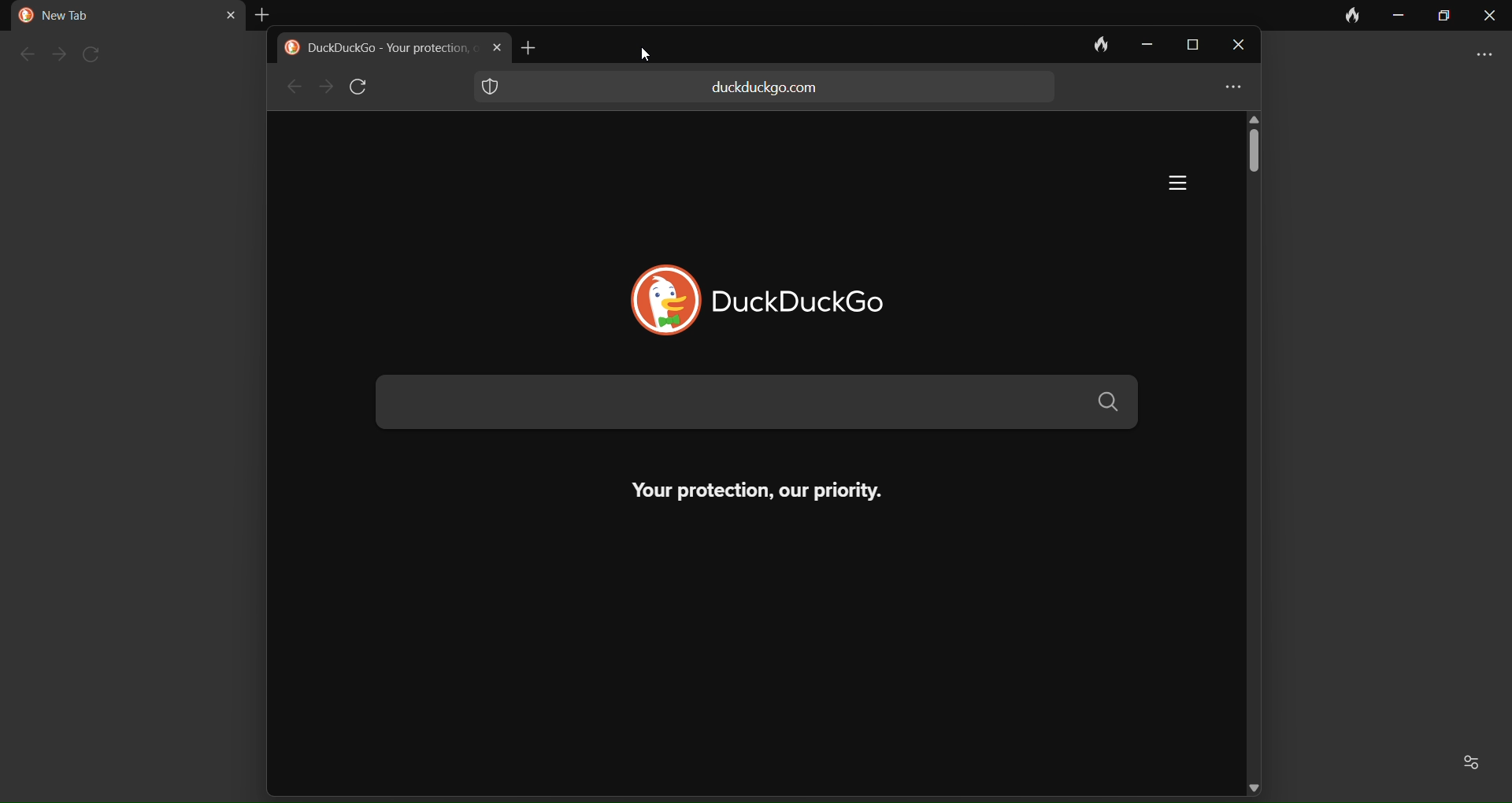 This screenshot has height=803, width=1512. I want to click on more, so click(1487, 54).